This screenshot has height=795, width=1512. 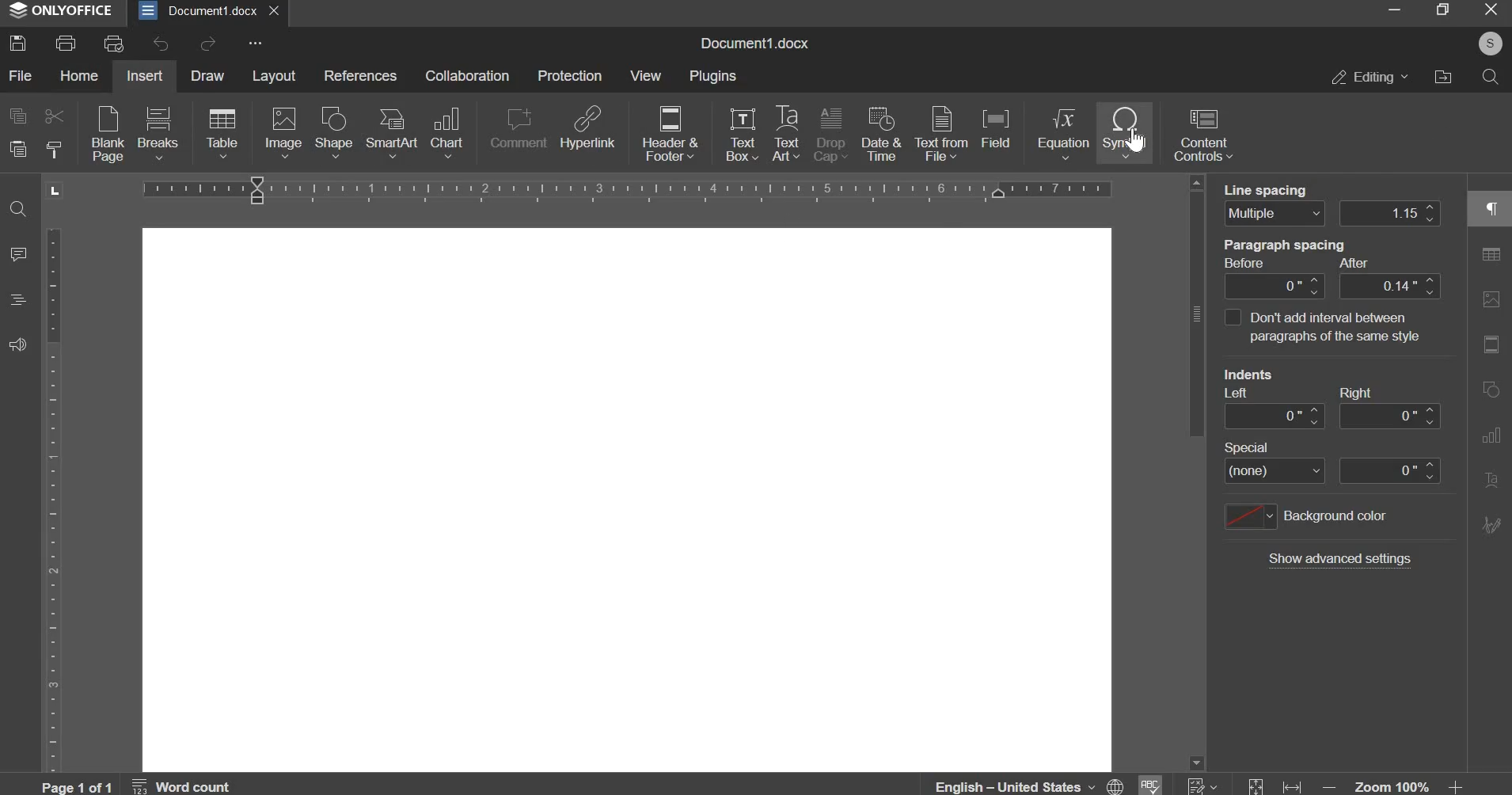 What do you see at coordinates (786, 133) in the screenshot?
I see `text art` at bounding box center [786, 133].